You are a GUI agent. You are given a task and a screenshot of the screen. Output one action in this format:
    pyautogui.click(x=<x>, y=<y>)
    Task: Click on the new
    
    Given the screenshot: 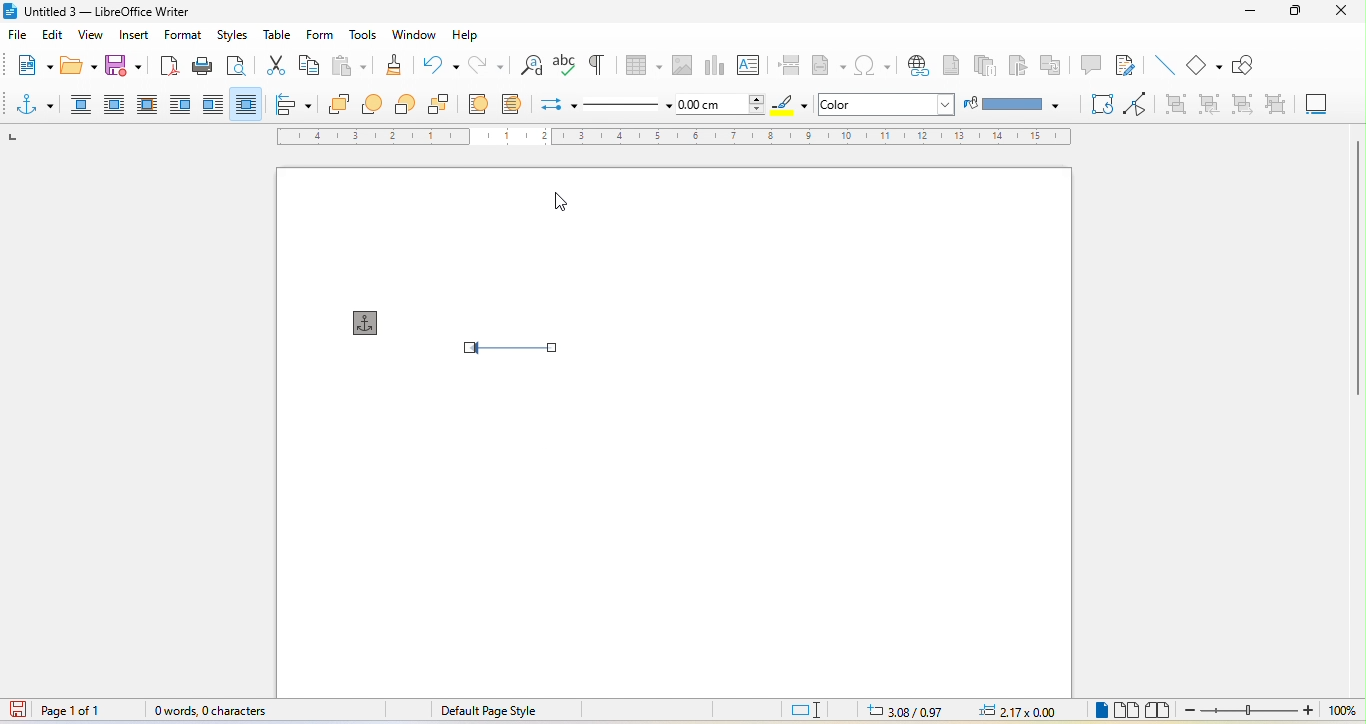 What is the action you would take?
    pyautogui.click(x=32, y=63)
    